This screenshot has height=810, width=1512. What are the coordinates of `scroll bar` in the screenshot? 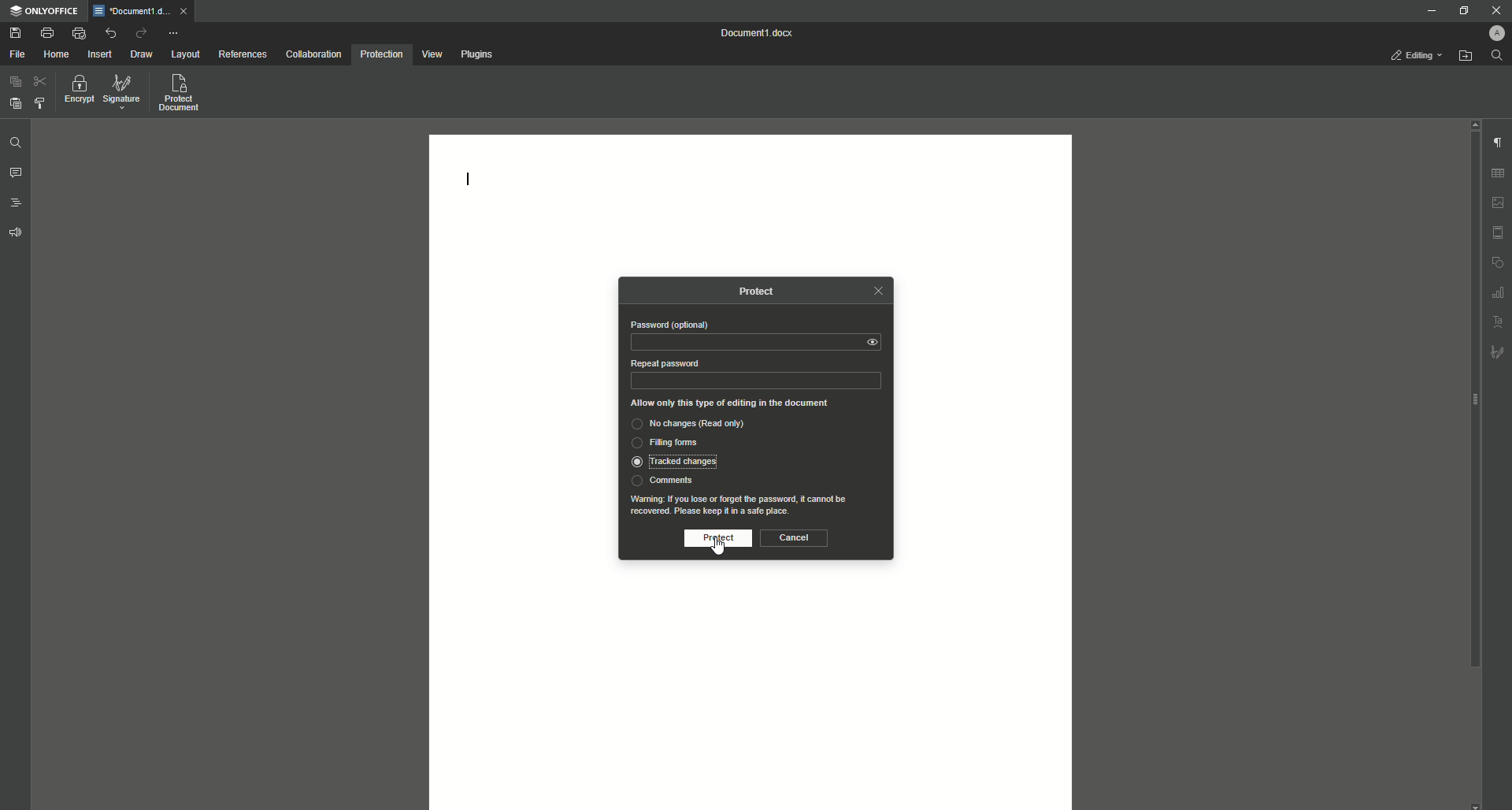 It's located at (1472, 400).